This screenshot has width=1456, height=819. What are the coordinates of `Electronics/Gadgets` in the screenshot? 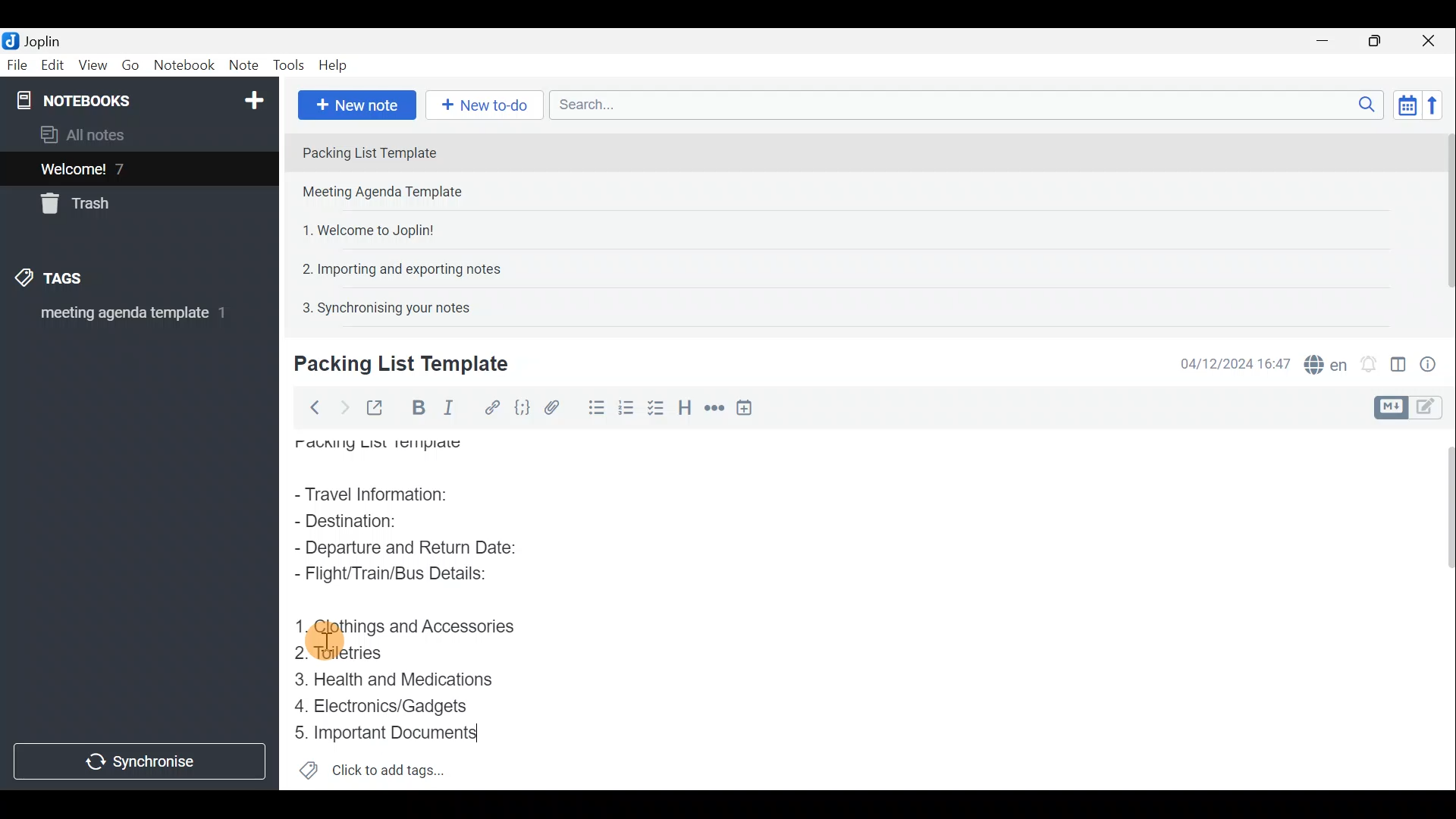 It's located at (385, 705).